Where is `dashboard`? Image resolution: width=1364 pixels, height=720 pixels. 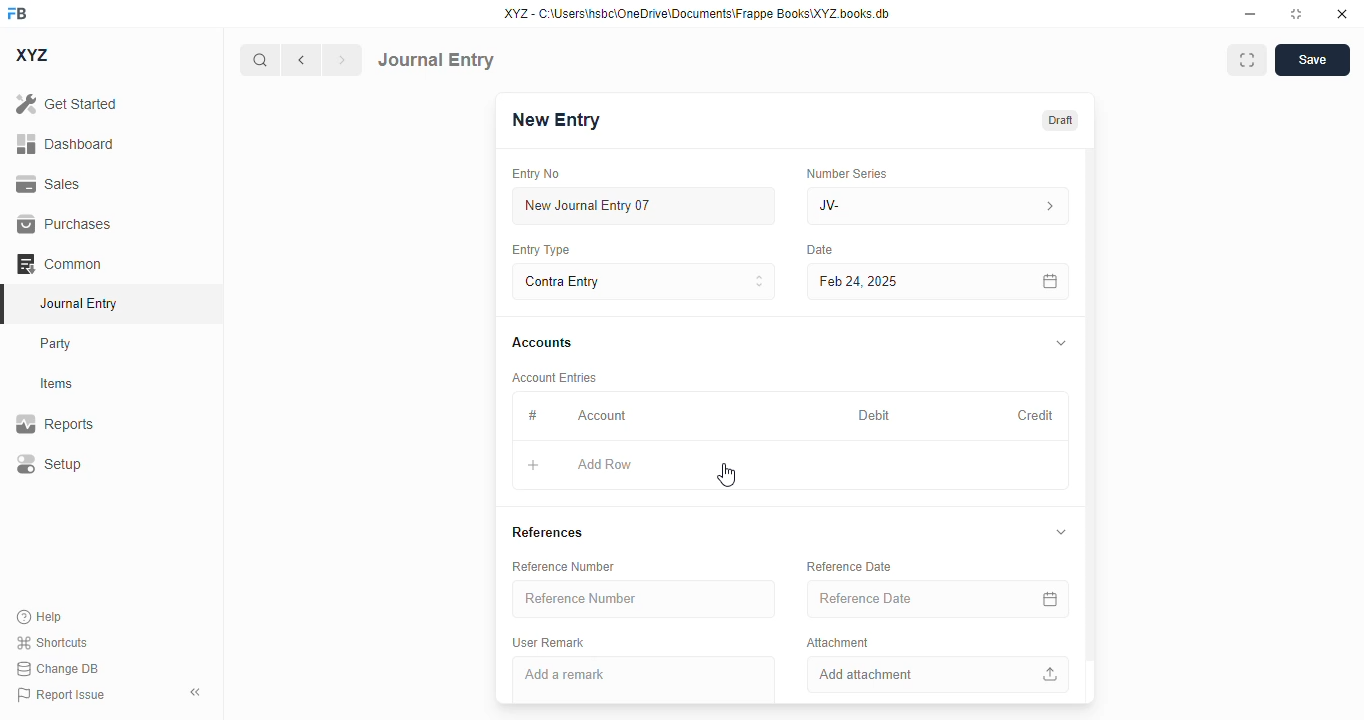 dashboard is located at coordinates (65, 143).